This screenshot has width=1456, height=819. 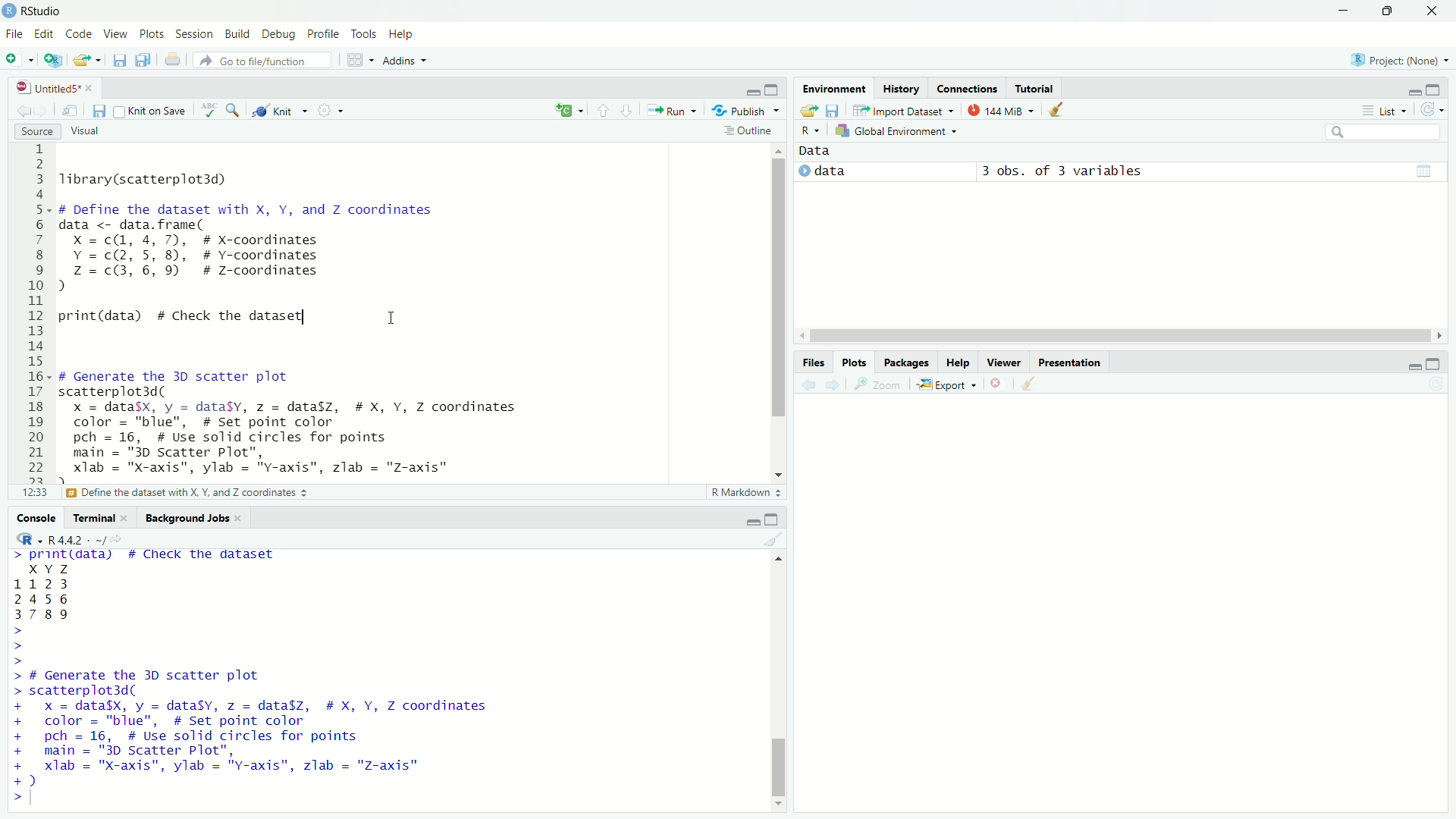 What do you see at coordinates (778, 804) in the screenshot?
I see `move bottom` at bounding box center [778, 804].